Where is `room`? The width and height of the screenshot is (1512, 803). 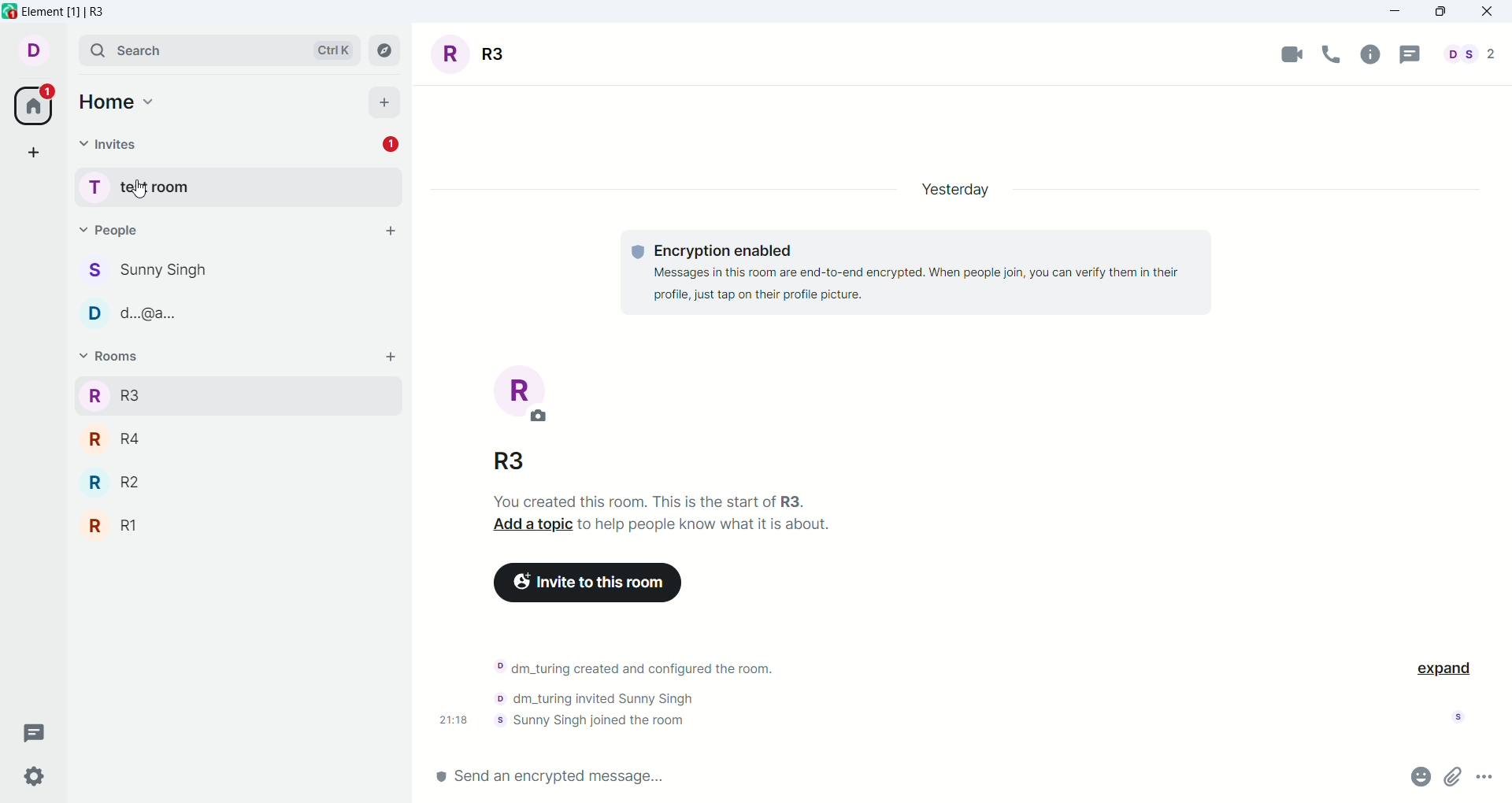 room is located at coordinates (475, 55).